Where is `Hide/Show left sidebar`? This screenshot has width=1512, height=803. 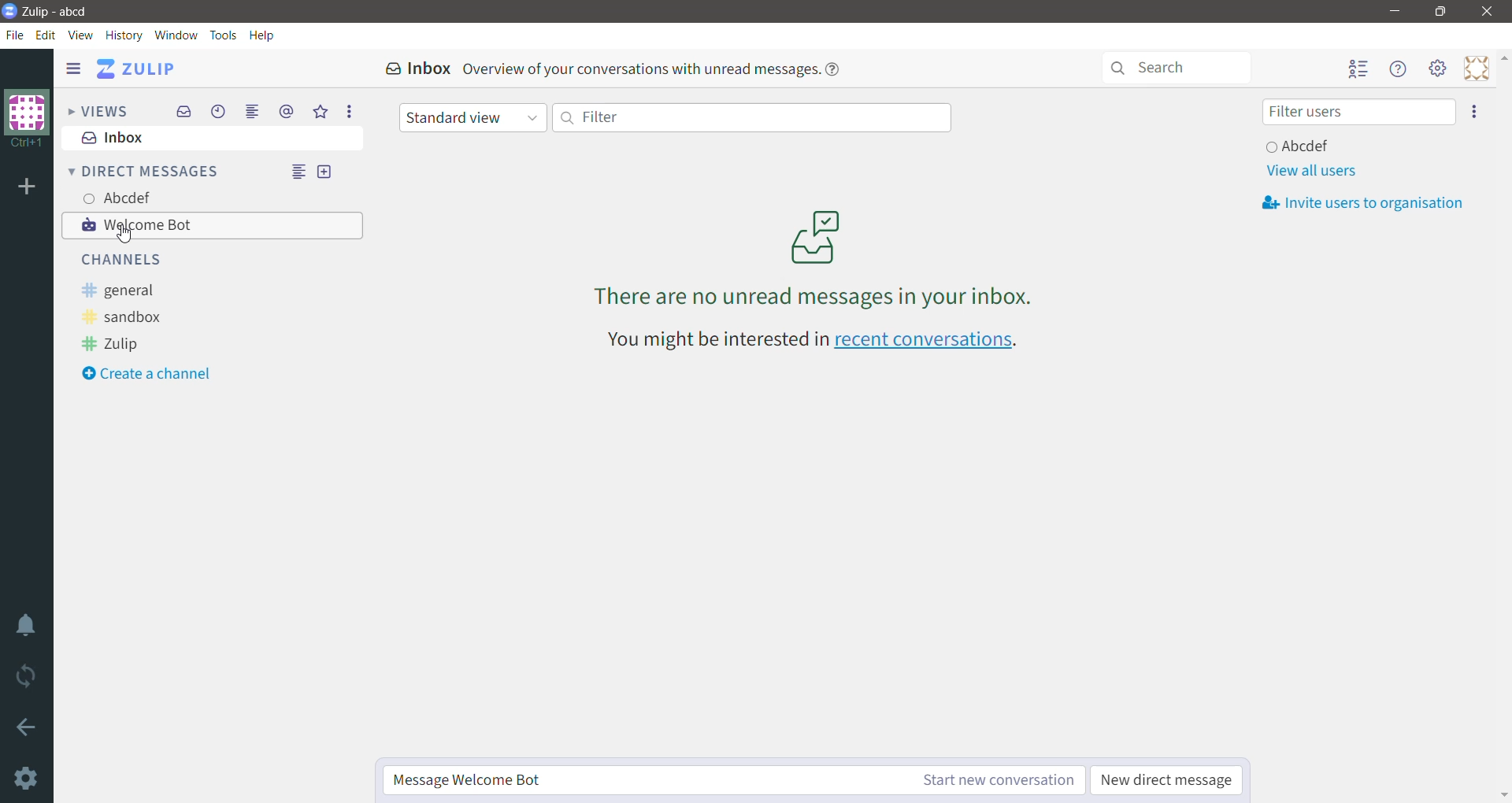
Hide/Show left sidebar is located at coordinates (74, 69).